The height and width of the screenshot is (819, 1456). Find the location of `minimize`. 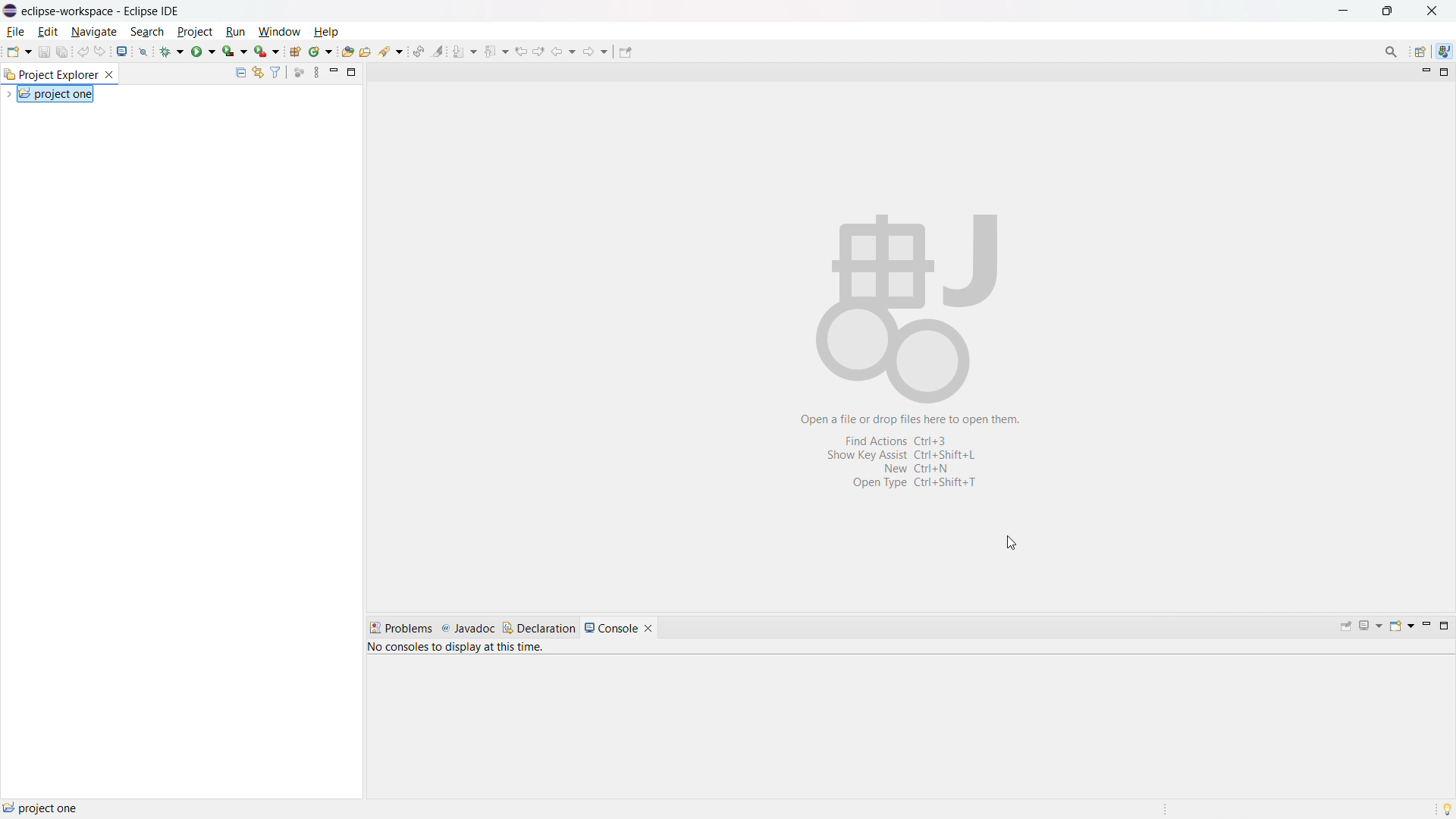

minimize is located at coordinates (1424, 73).